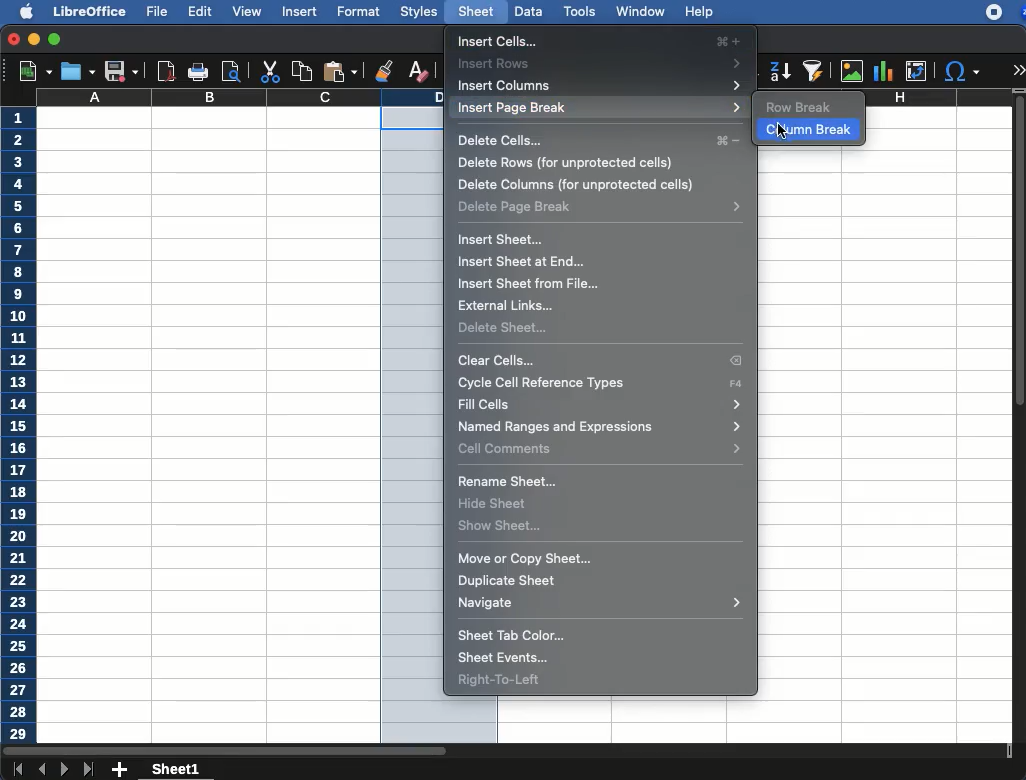 The image size is (1026, 780). What do you see at coordinates (601, 207) in the screenshot?
I see `delete page break` at bounding box center [601, 207].